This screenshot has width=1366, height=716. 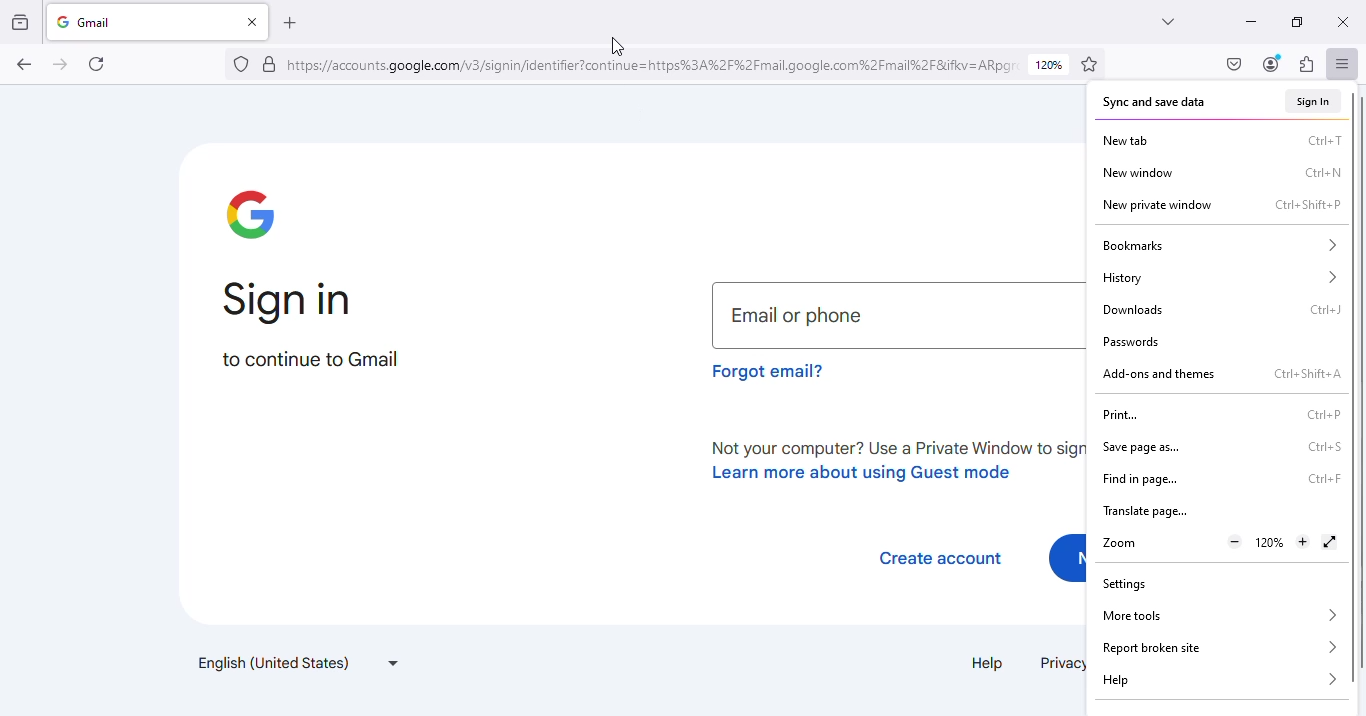 What do you see at coordinates (1141, 448) in the screenshot?
I see `save page as...` at bounding box center [1141, 448].